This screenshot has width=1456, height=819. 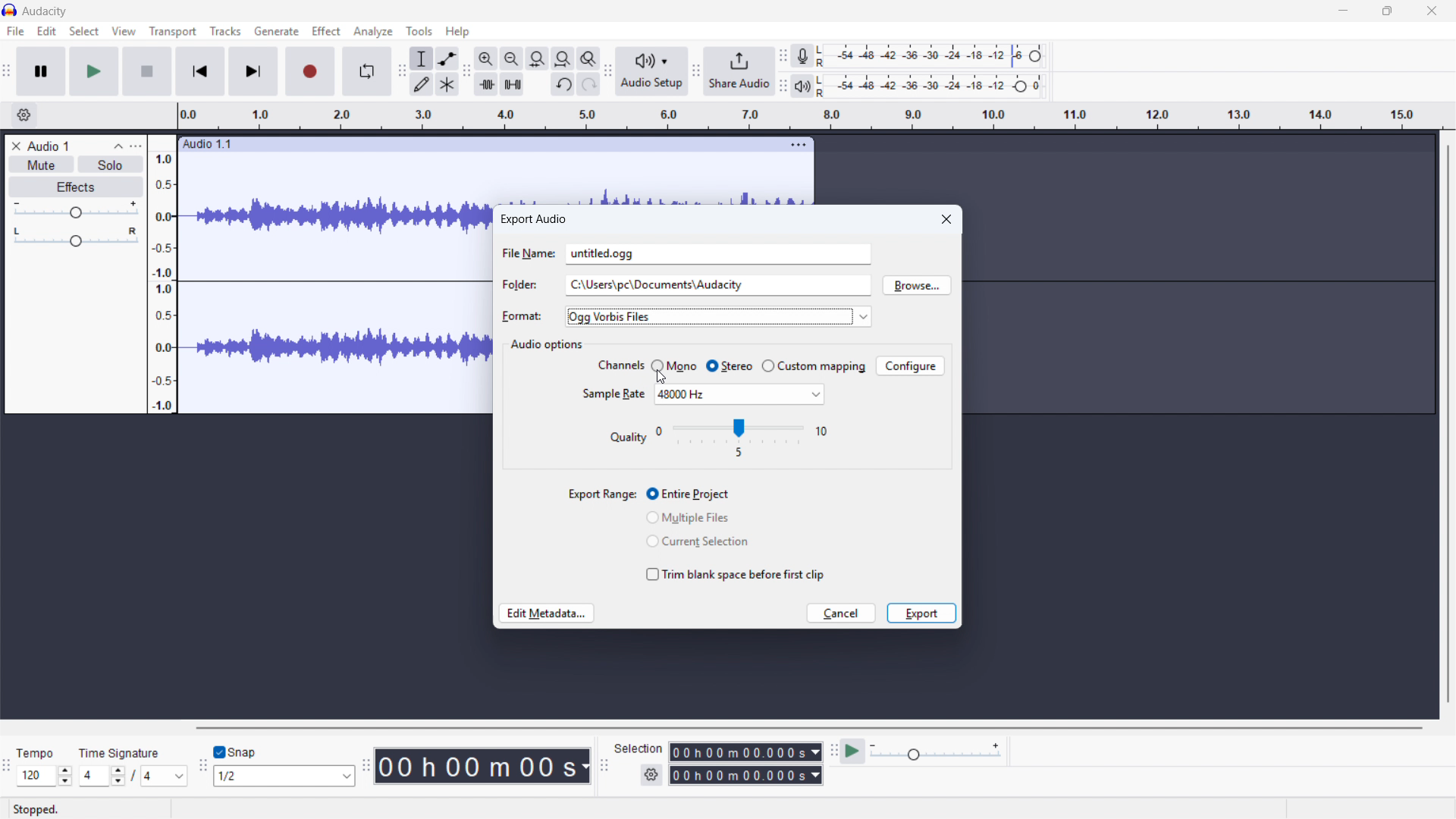 I want to click on stop , so click(x=147, y=71).